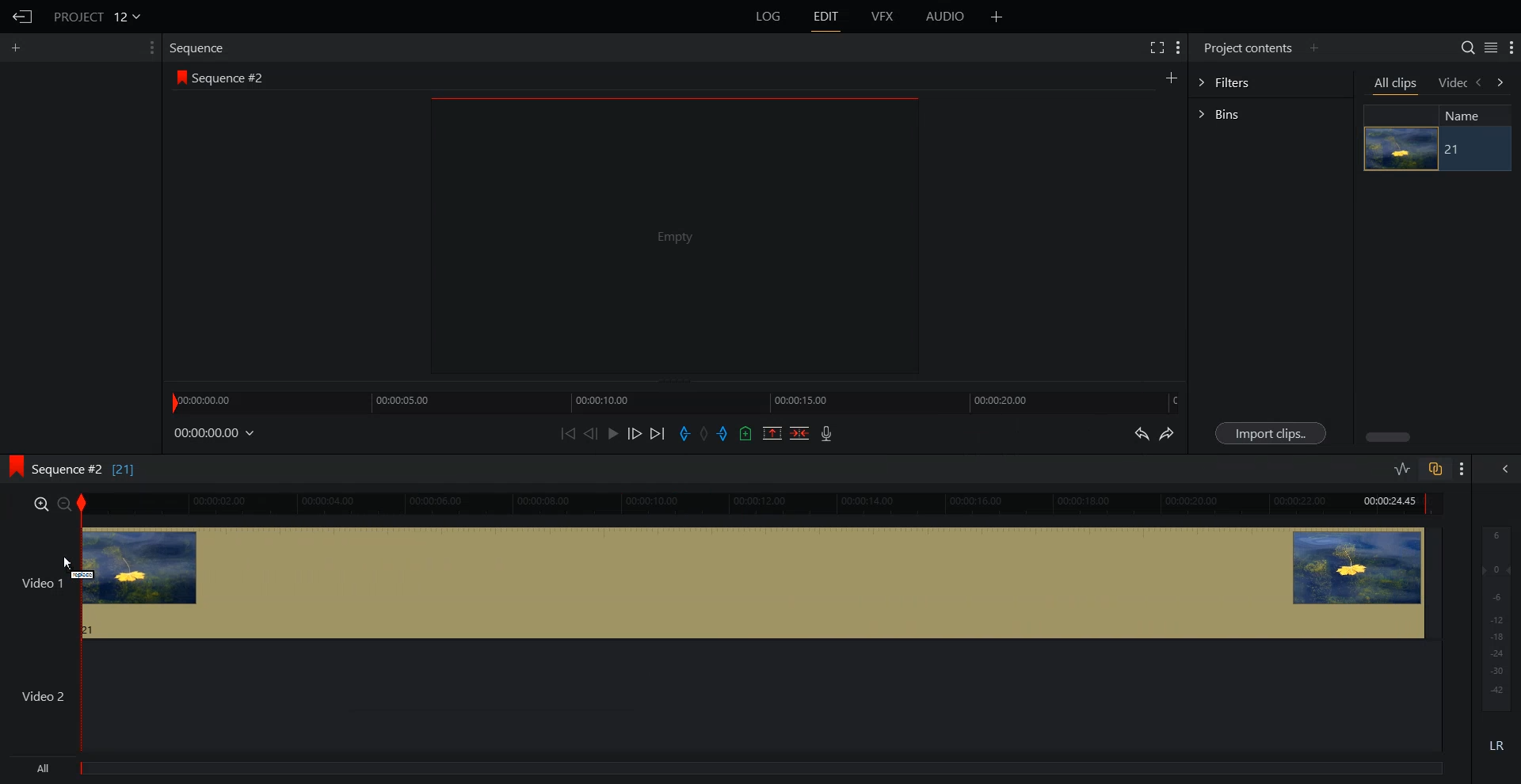 Image resolution: width=1521 pixels, height=784 pixels. What do you see at coordinates (883, 17) in the screenshot?
I see `VFX` at bounding box center [883, 17].